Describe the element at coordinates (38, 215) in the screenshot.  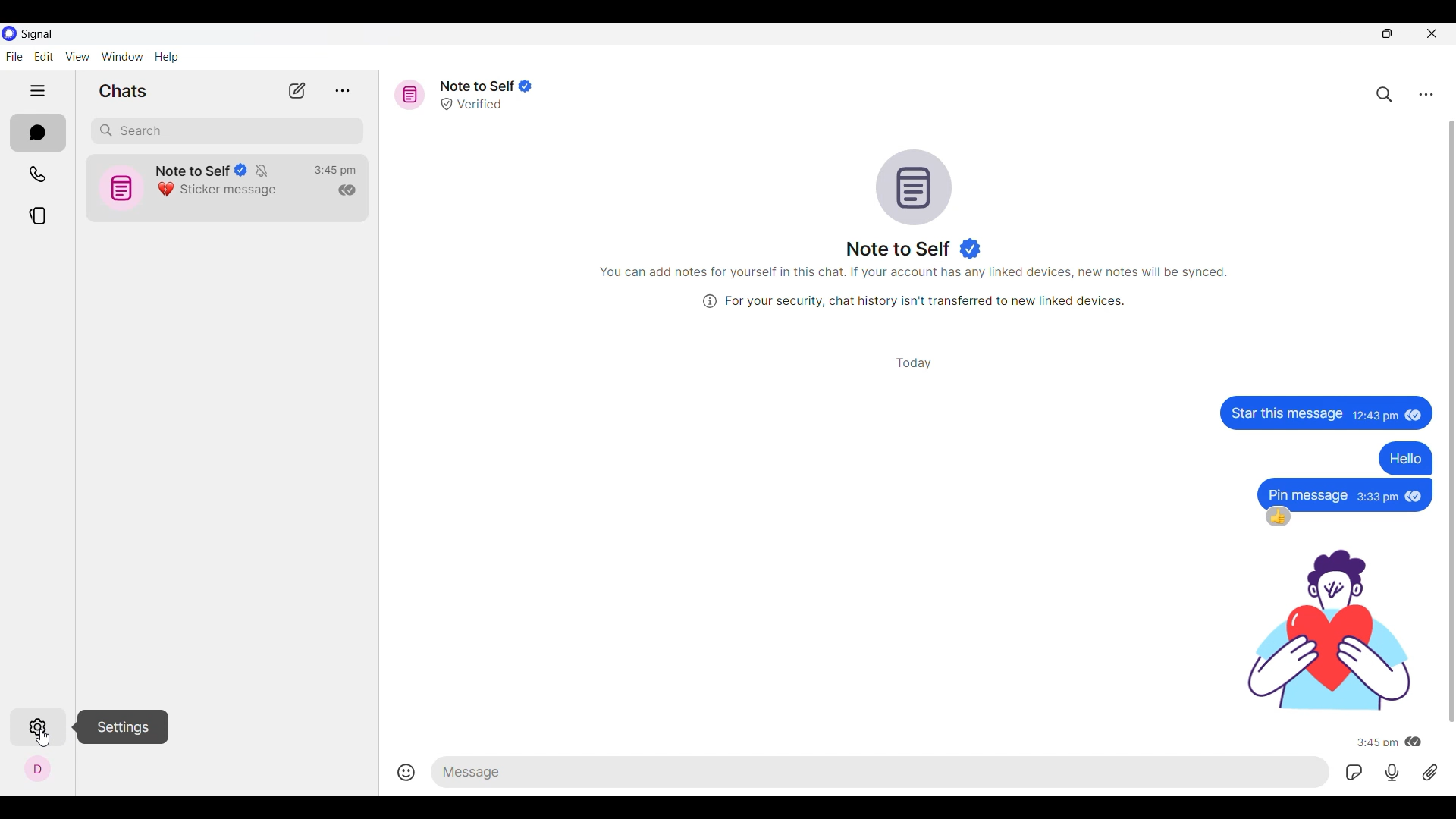
I see `Stories` at that location.